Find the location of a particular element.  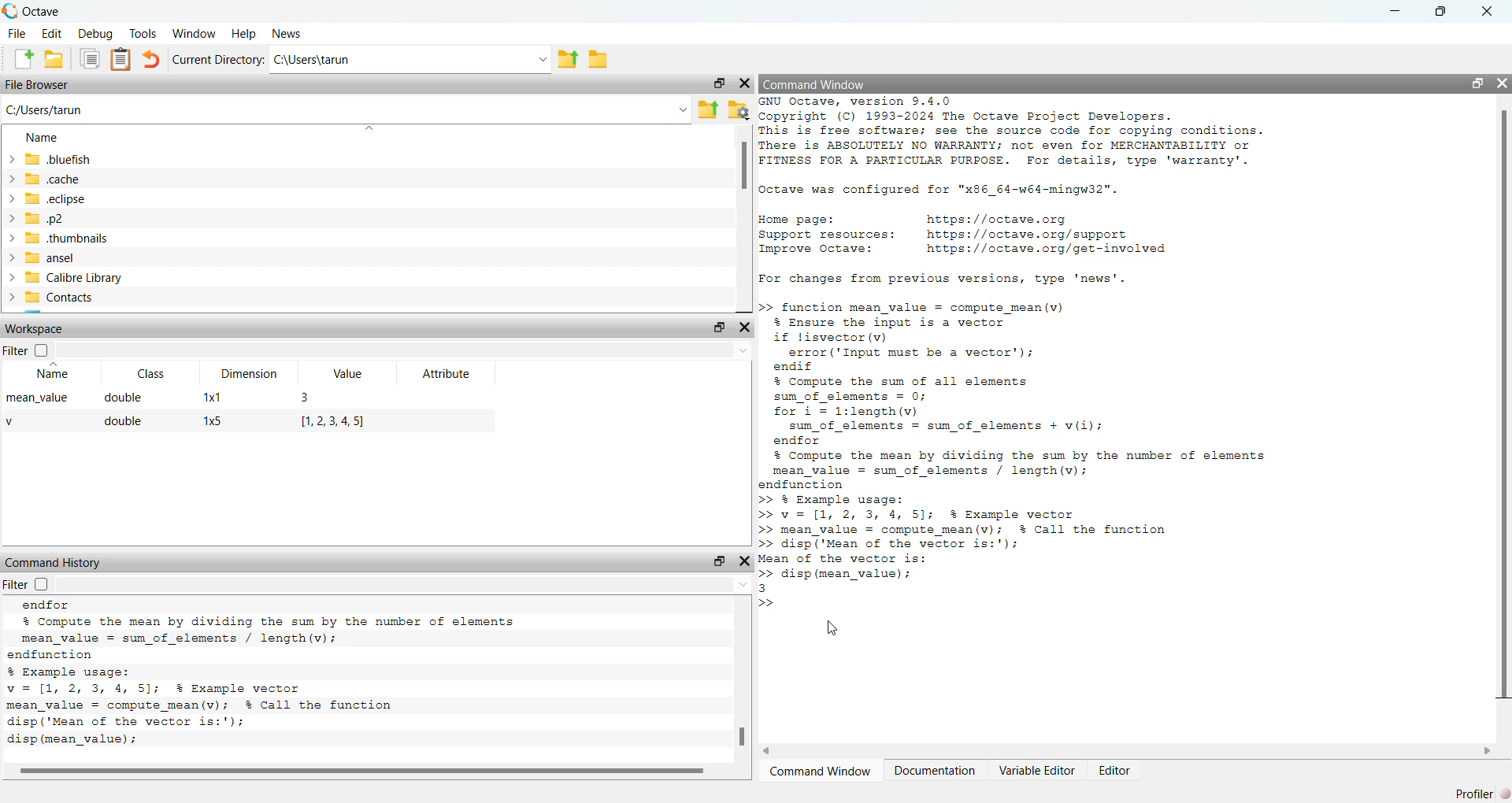

close is located at coordinates (745, 83).